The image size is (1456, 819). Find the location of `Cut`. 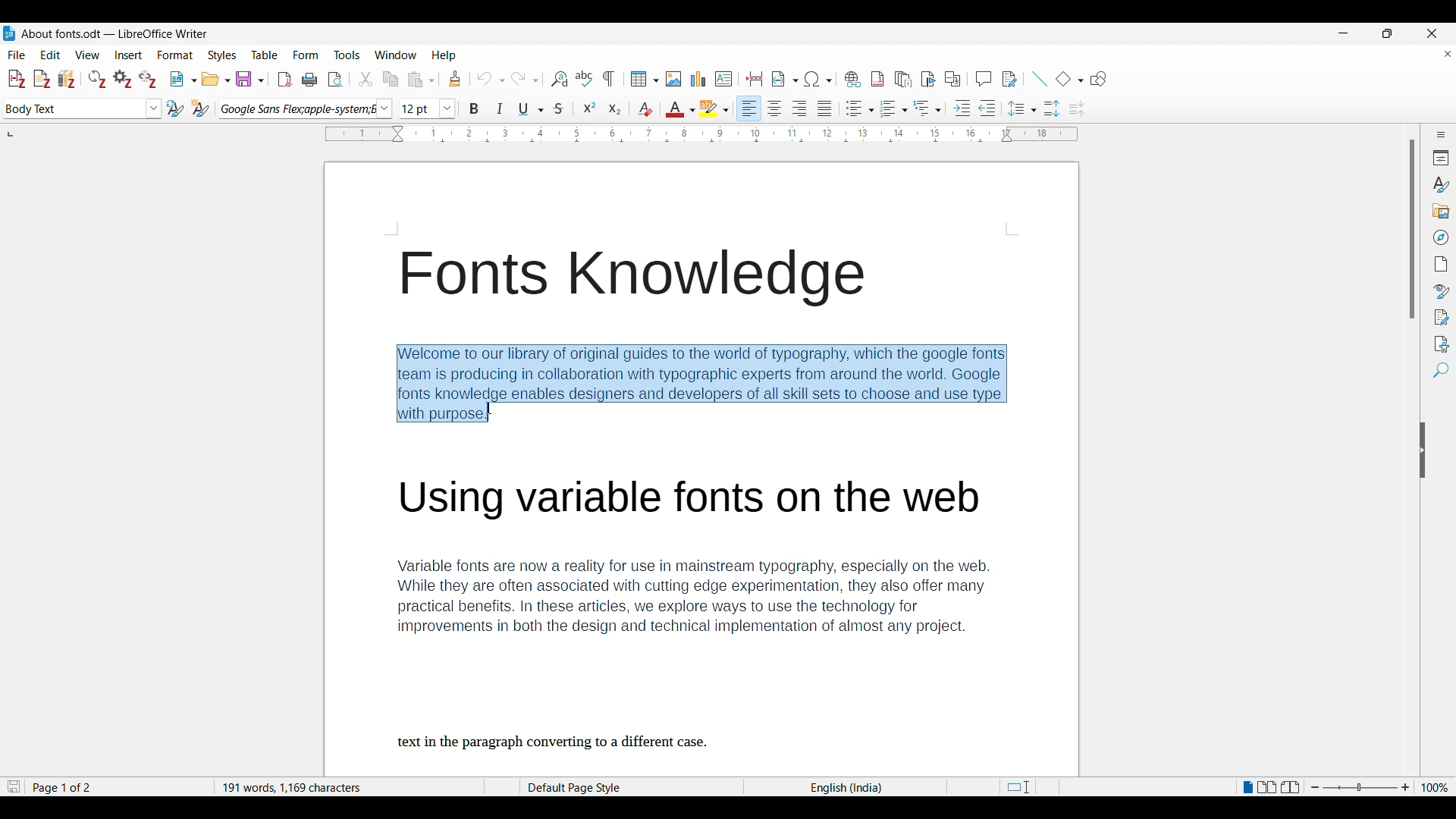

Cut is located at coordinates (366, 79).